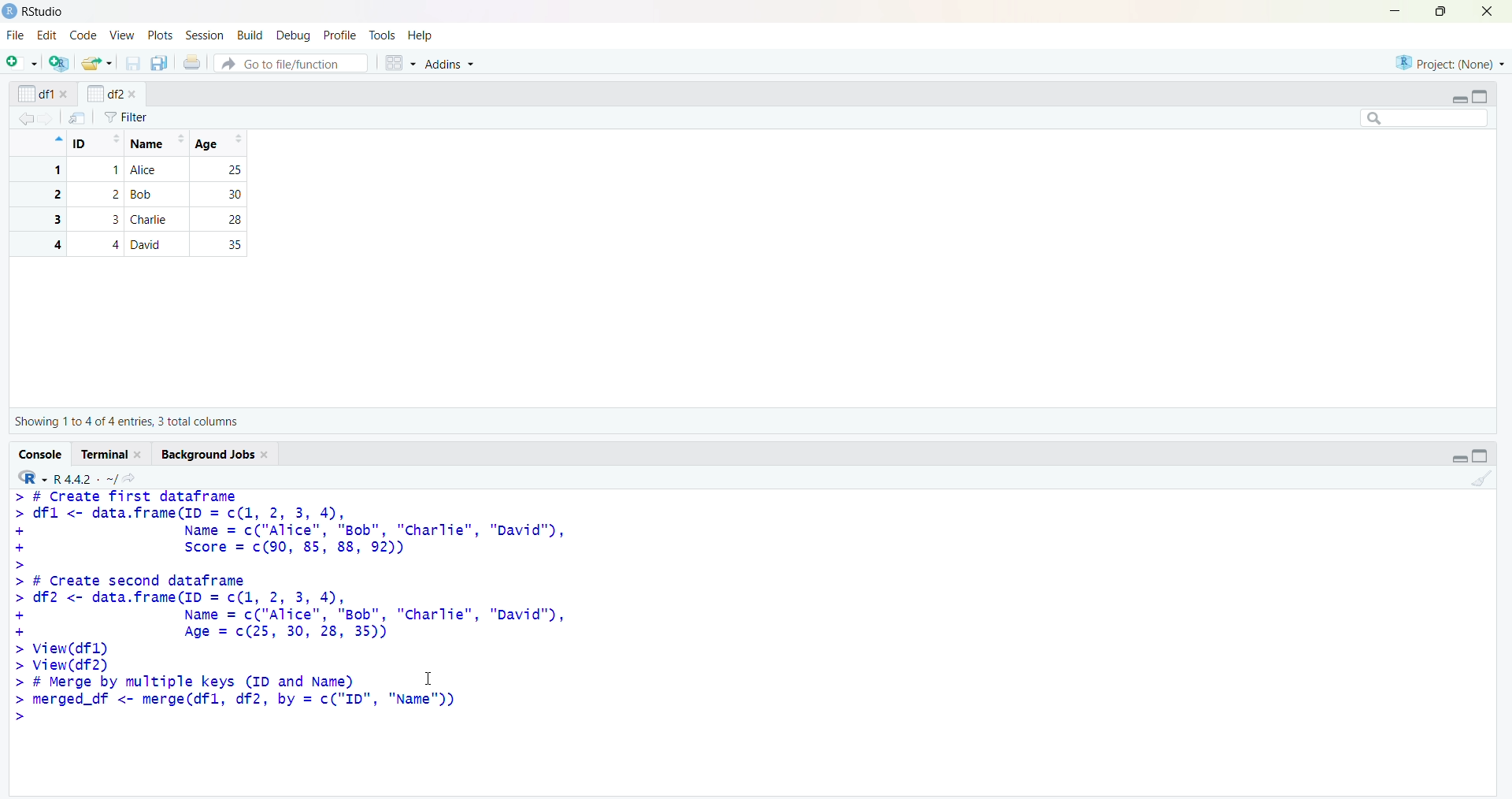 The height and width of the screenshot is (799, 1512). Describe the element at coordinates (84, 35) in the screenshot. I see `code` at that location.